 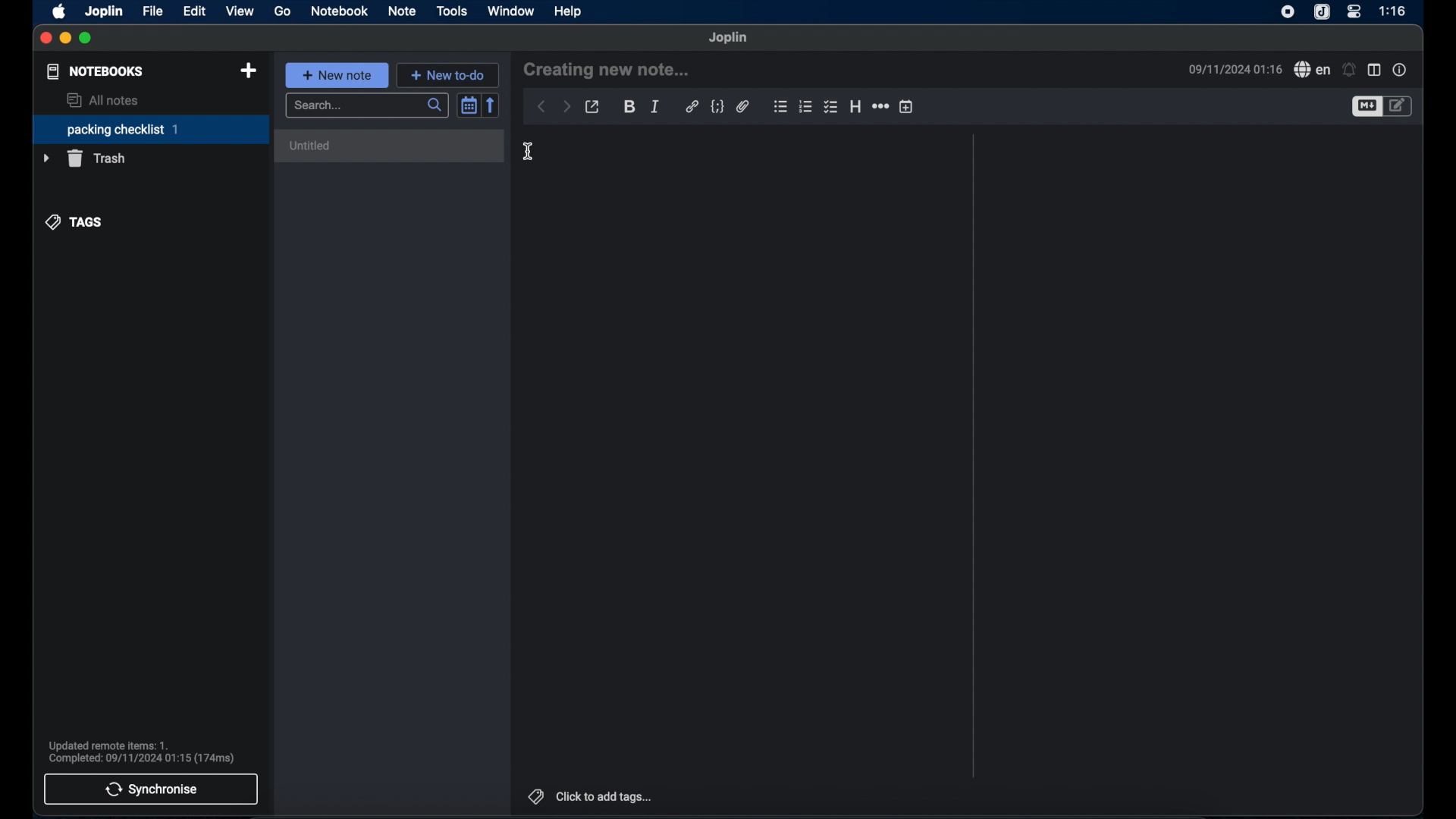 What do you see at coordinates (907, 107) in the screenshot?
I see `insert time` at bounding box center [907, 107].